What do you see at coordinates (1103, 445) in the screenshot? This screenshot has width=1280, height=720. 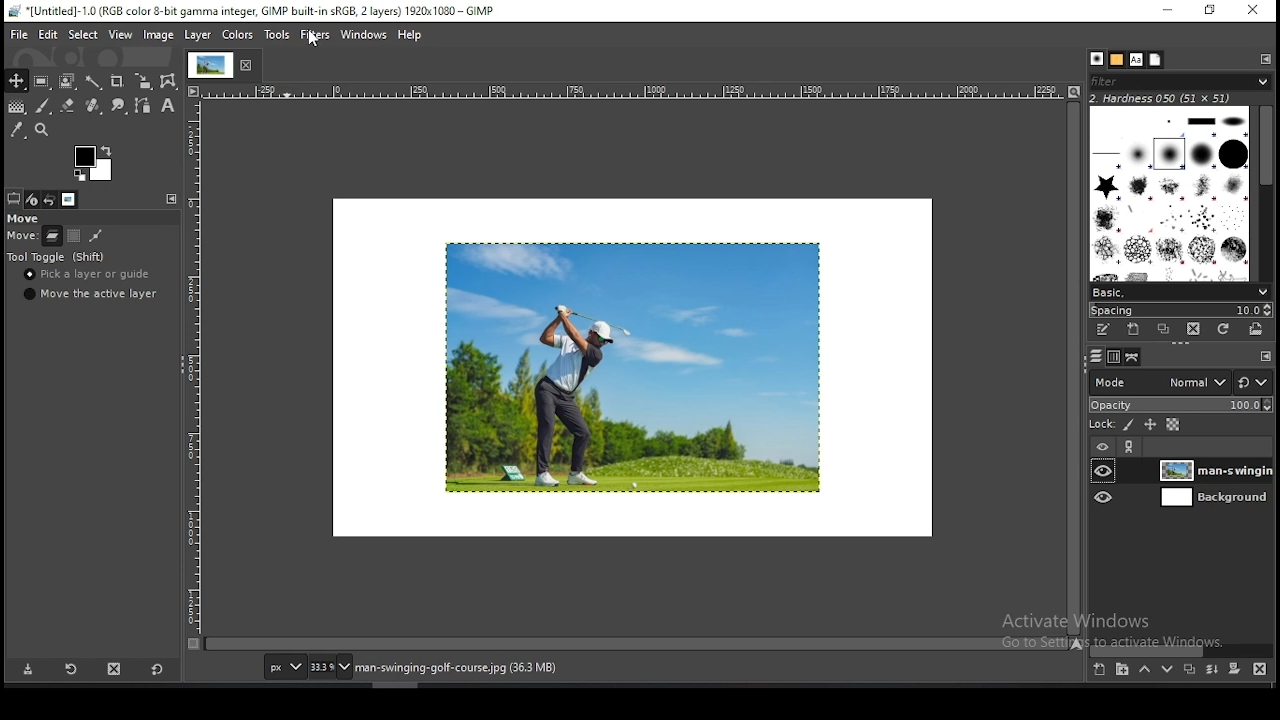 I see `layer on/off` at bounding box center [1103, 445].